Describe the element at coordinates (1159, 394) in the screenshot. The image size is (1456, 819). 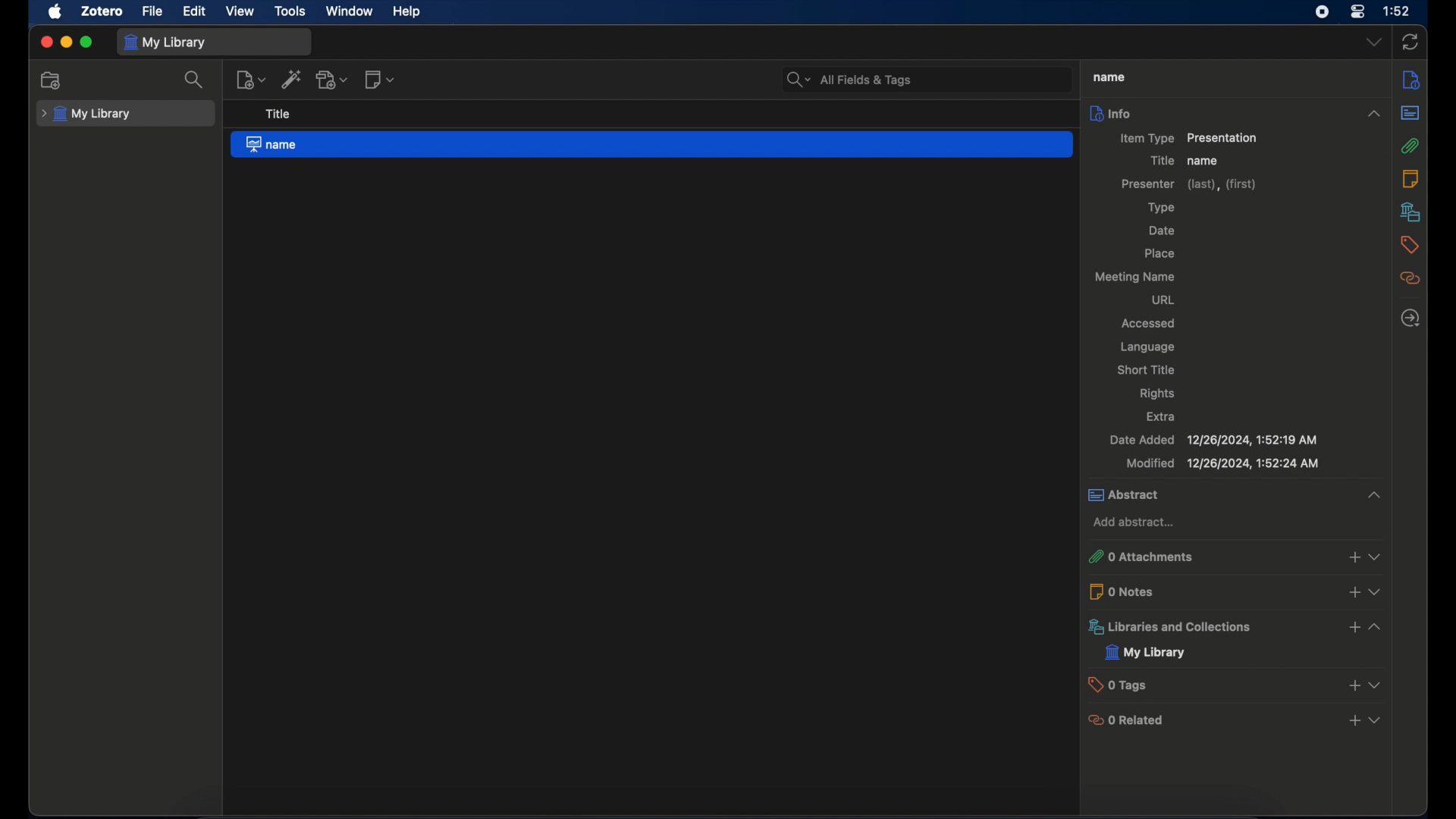
I see `rights` at that location.